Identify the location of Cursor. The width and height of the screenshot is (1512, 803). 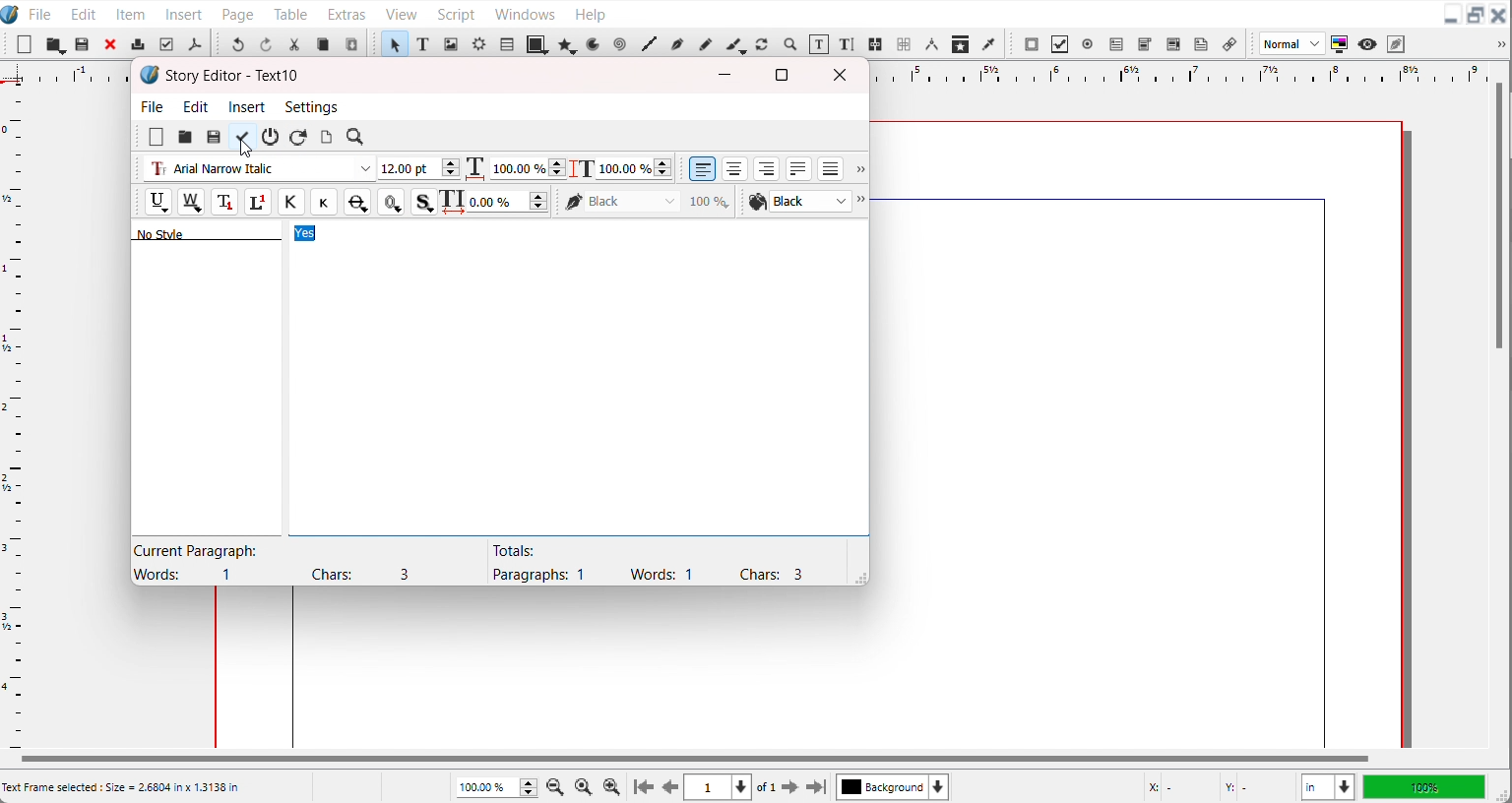
(245, 149).